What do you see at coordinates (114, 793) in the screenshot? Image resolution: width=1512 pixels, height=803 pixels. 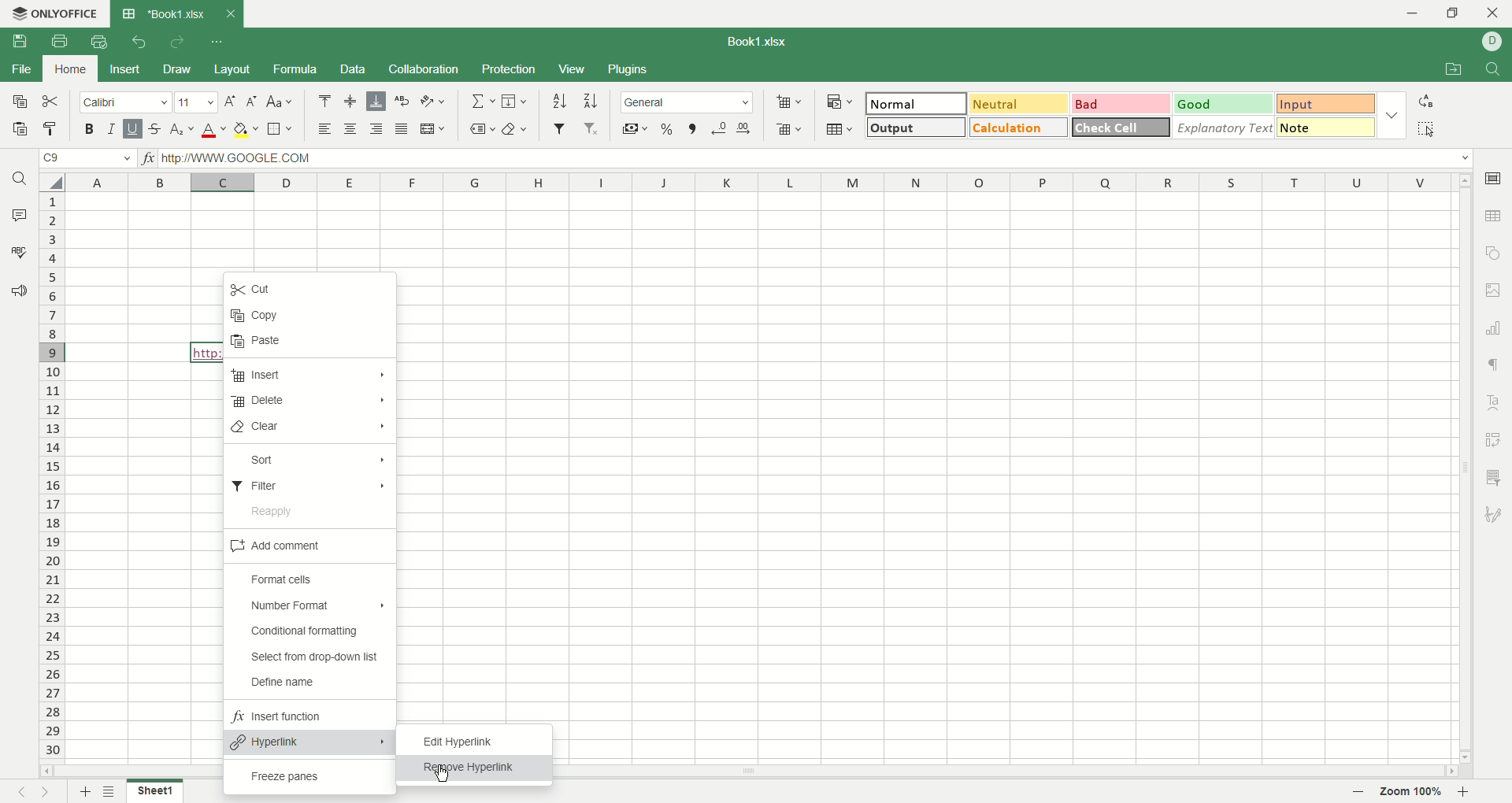 I see `sheet list` at bounding box center [114, 793].